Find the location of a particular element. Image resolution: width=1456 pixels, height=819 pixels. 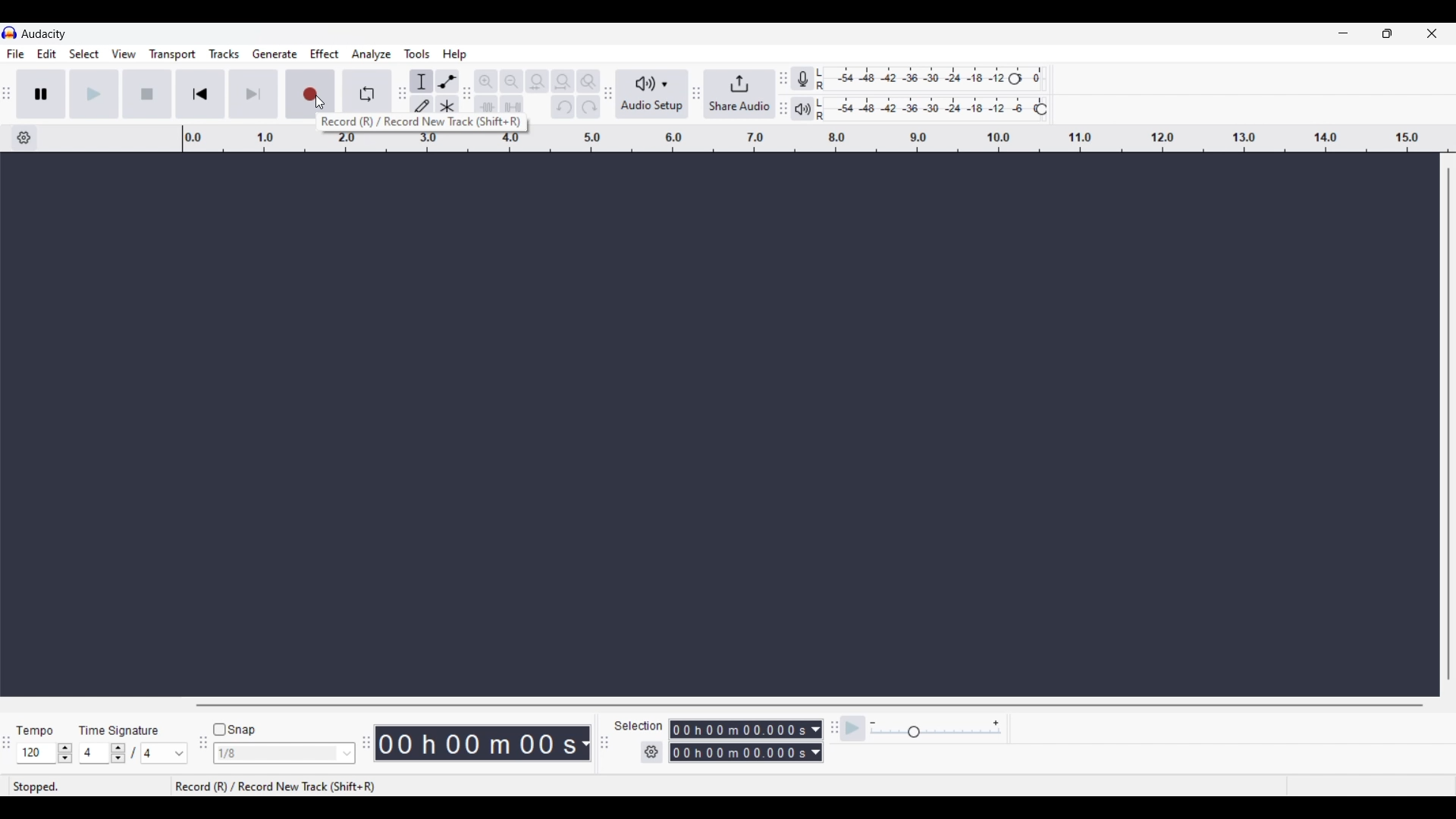

4 is located at coordinates (165, 753).